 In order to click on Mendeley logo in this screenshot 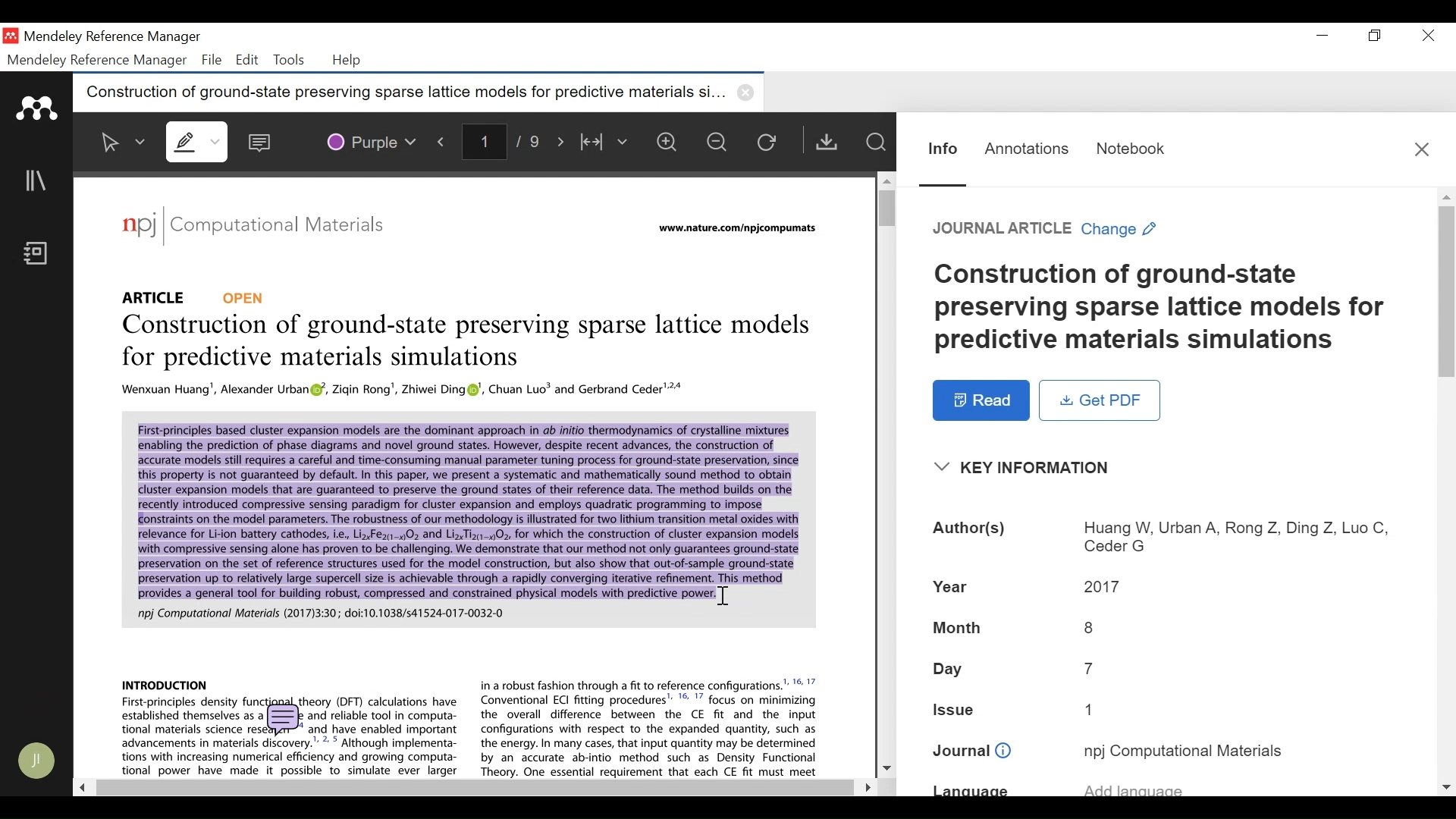, I will do `click(39, 108)`.